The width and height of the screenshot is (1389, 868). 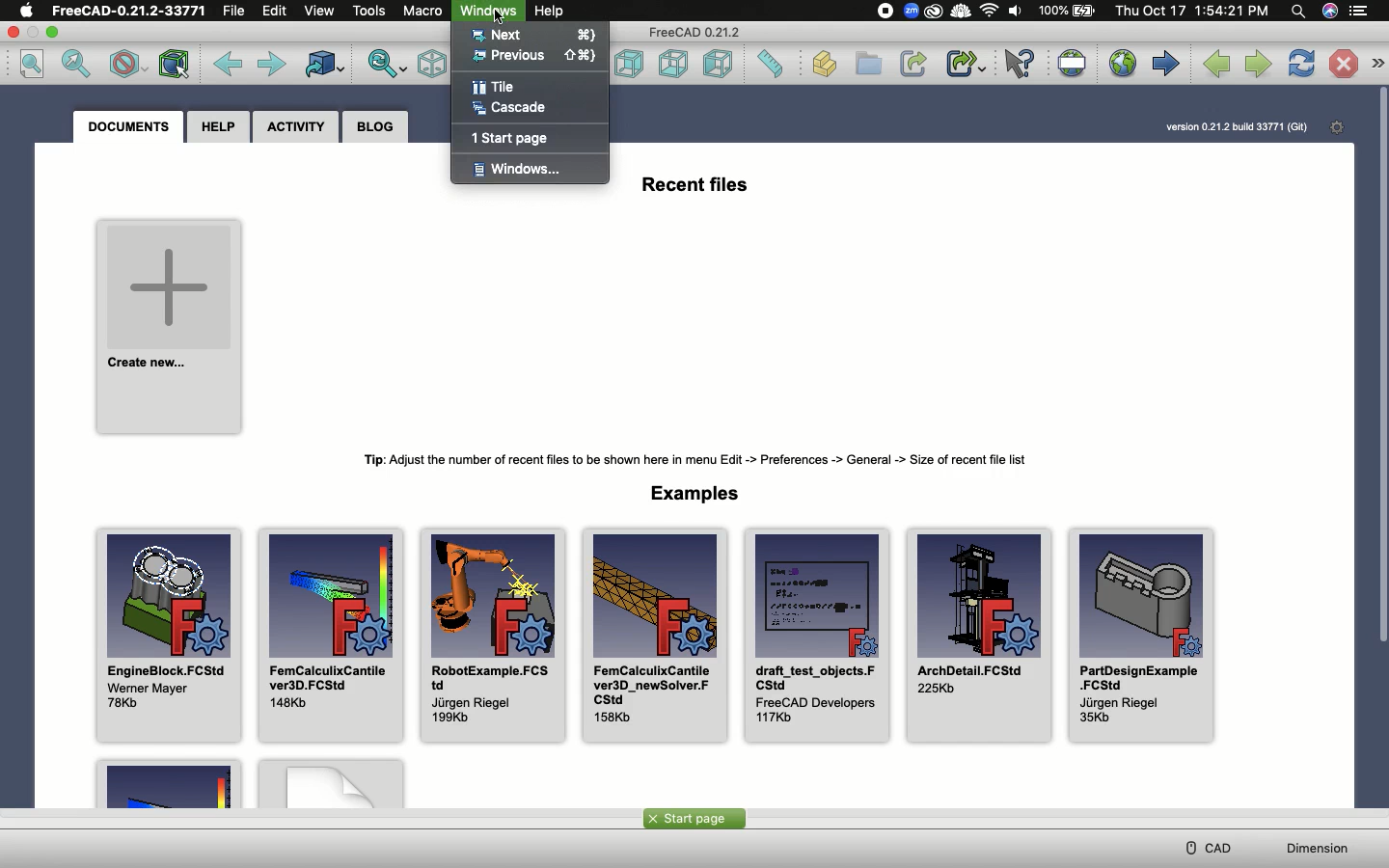 I want to click on Isometric, so click(x=434, y=65).